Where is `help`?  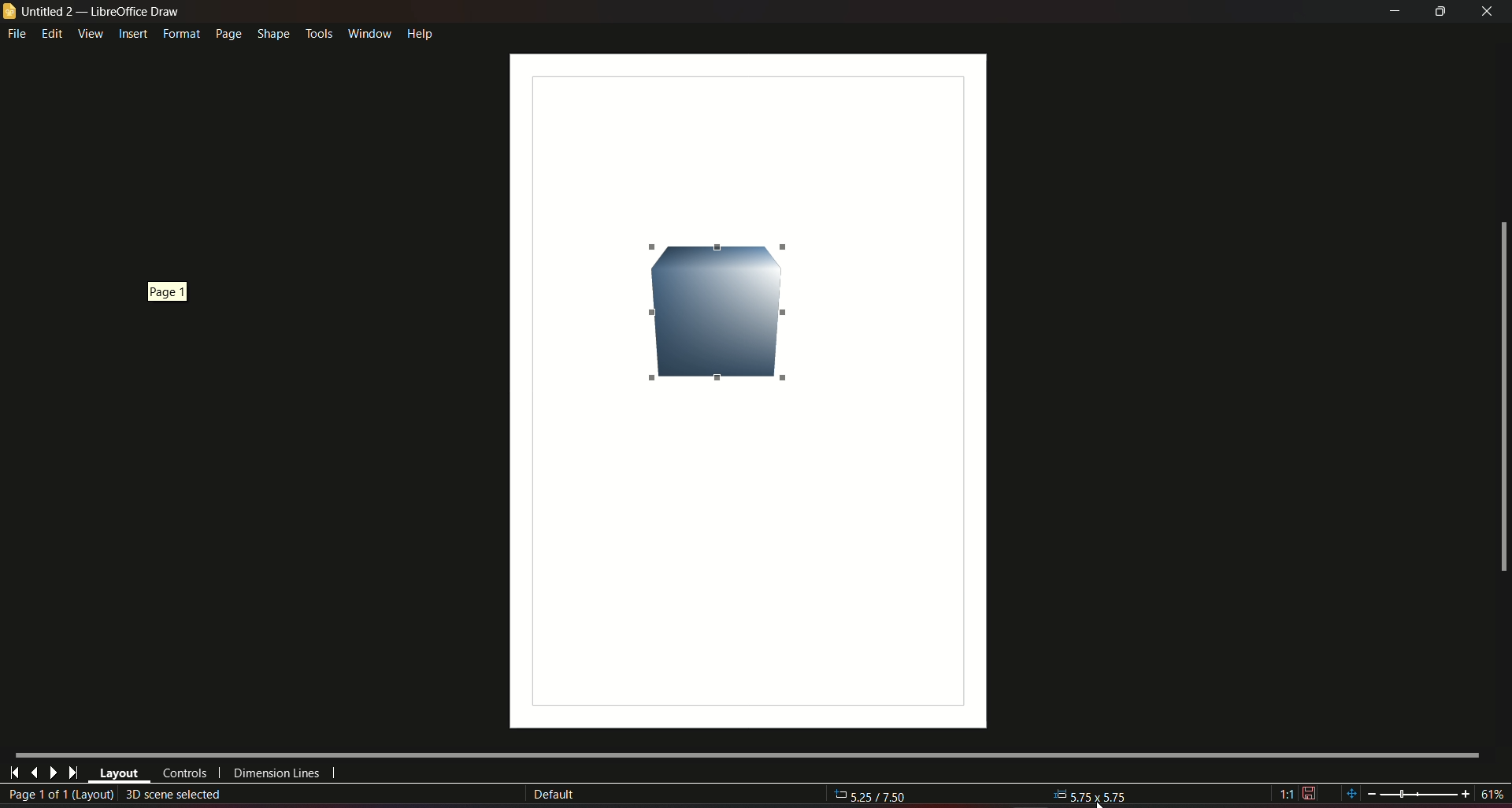
help is located at coordinates (421, 32).